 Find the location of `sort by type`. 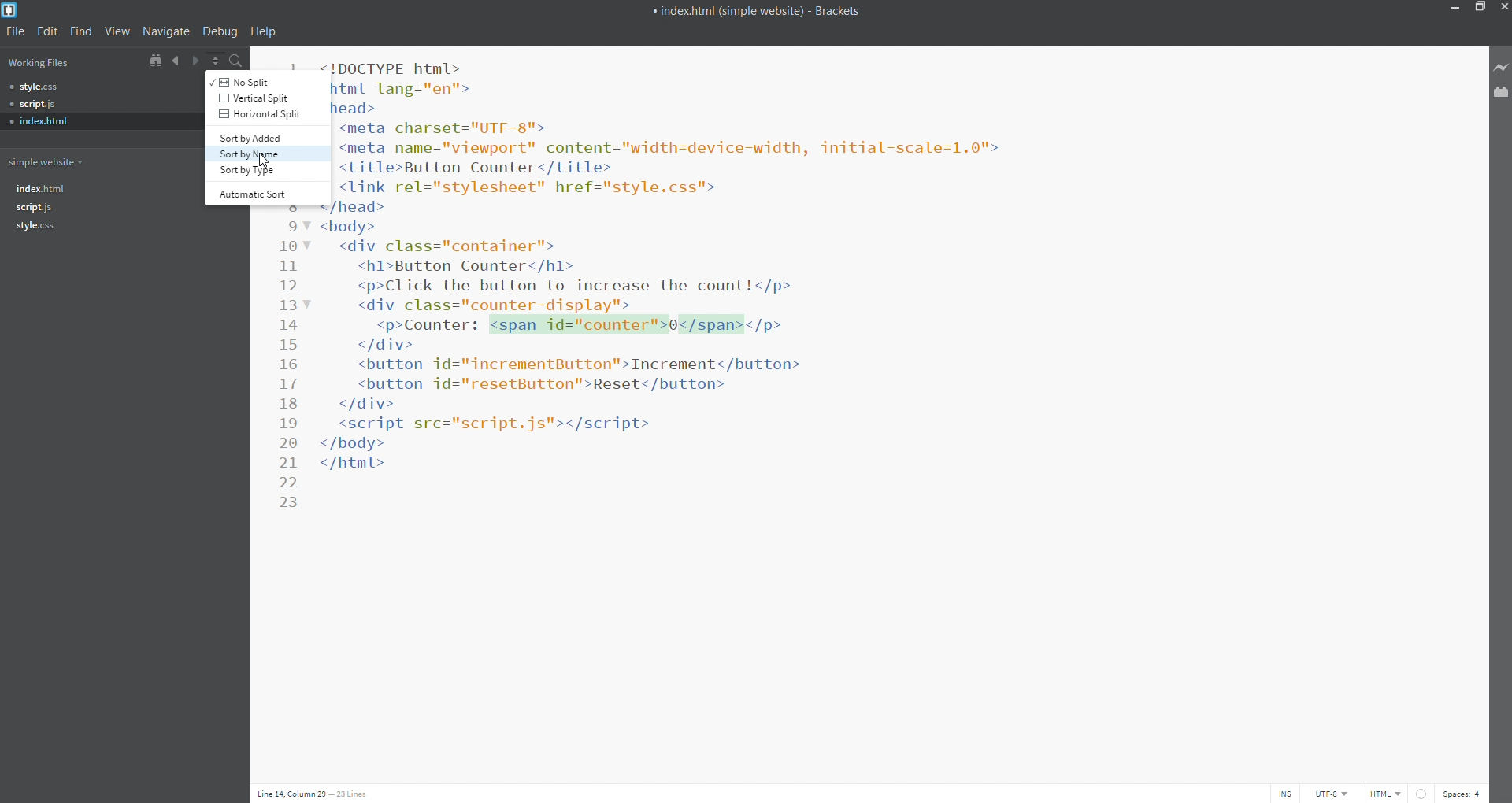

sort by type is located at coordinates (258, 172).